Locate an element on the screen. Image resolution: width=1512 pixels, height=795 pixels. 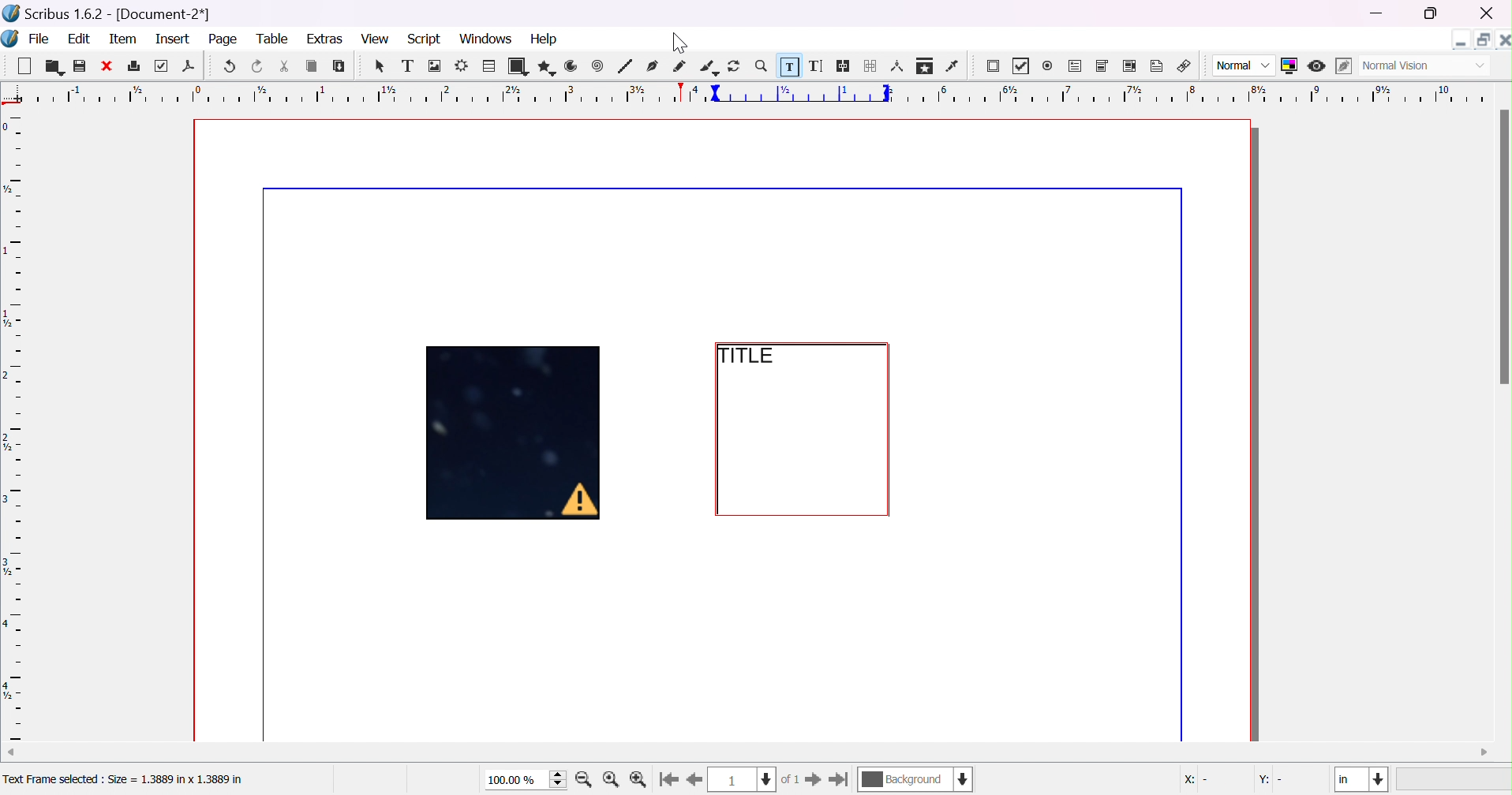
PDF push button is located at coordinates (995, 68).